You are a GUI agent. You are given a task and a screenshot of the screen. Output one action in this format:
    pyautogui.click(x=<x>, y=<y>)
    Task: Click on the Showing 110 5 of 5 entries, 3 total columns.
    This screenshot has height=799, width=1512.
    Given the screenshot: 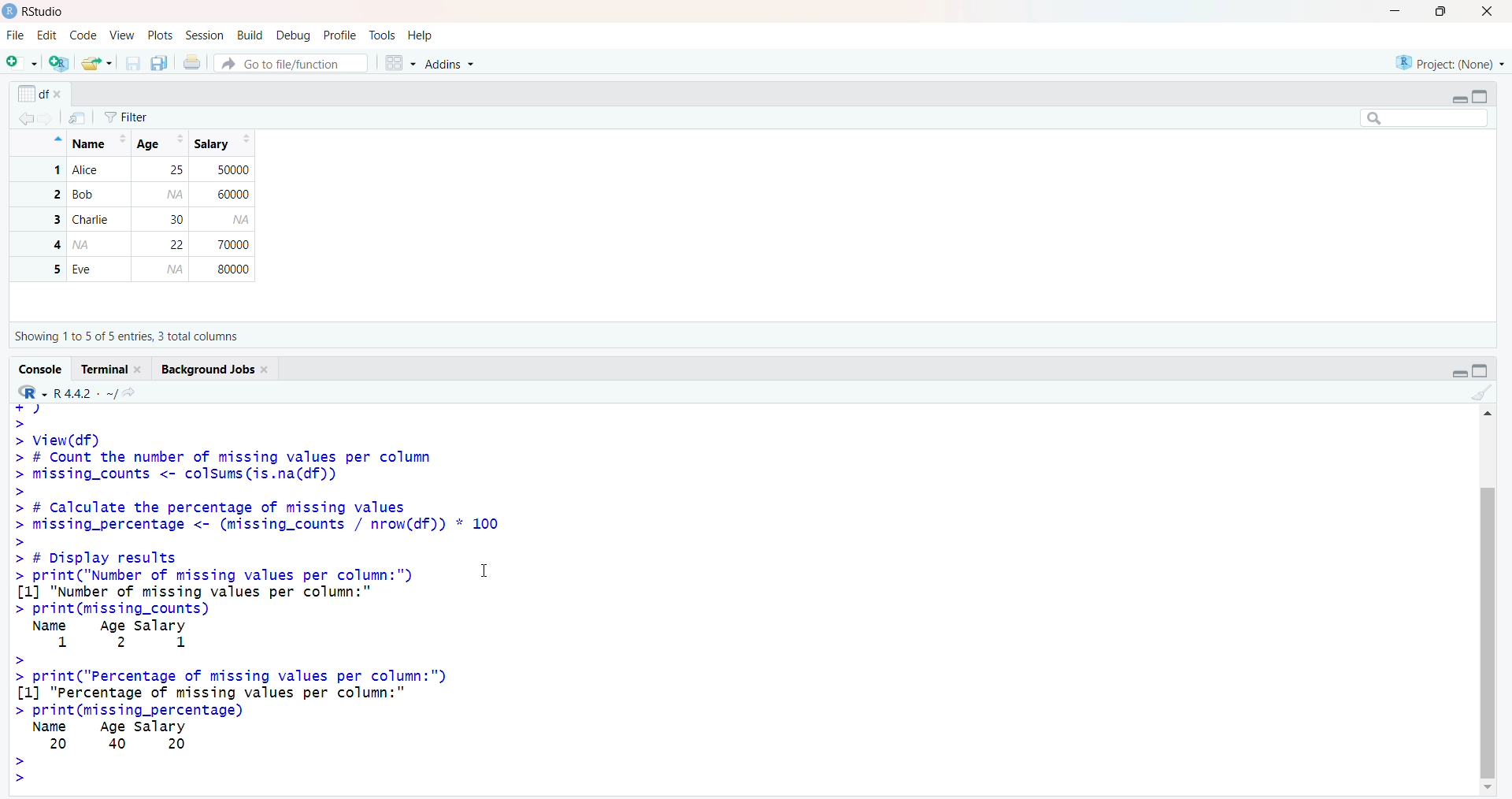 What is the action you would take?
    pyautogui.click(x=130, y=336)
    